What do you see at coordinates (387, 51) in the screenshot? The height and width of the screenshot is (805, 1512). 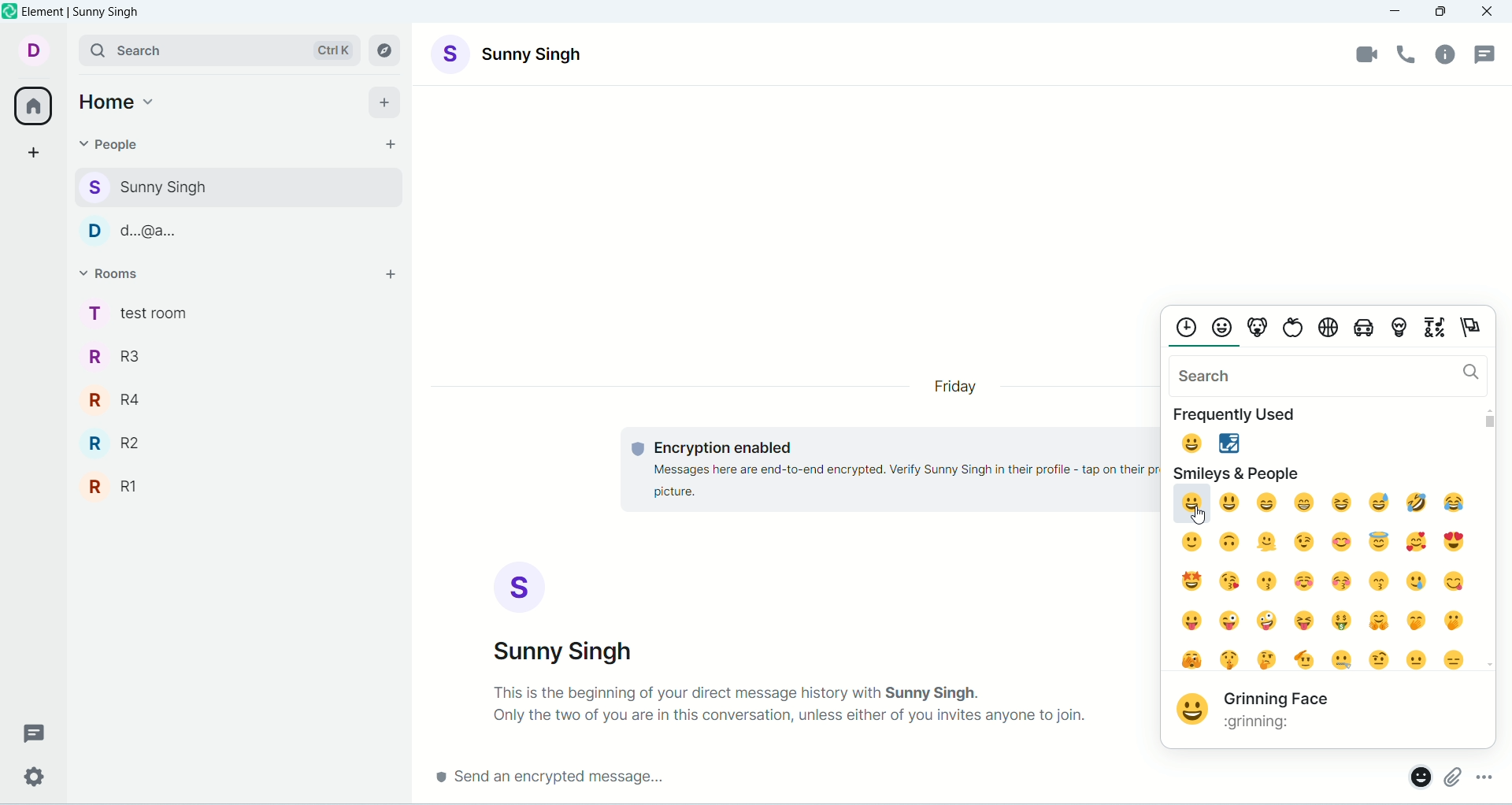 I see `explore rooms` at bounding box center [387, 51].